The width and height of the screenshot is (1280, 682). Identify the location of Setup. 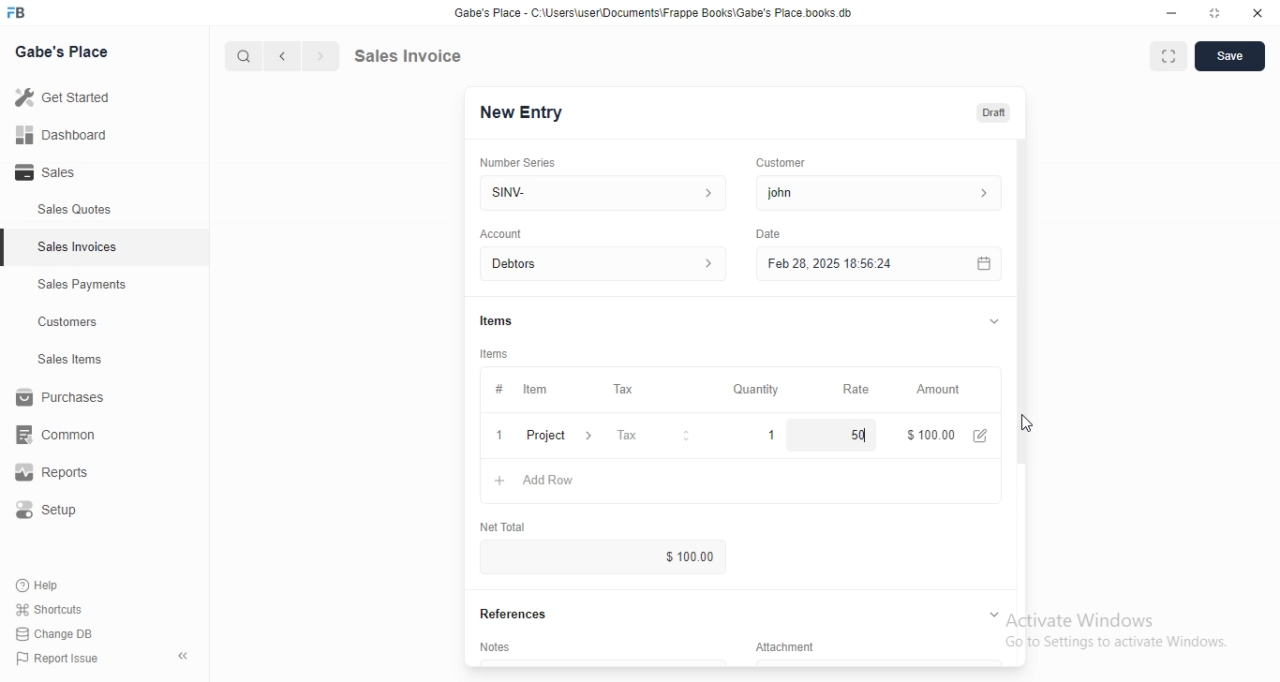
(57, 513).